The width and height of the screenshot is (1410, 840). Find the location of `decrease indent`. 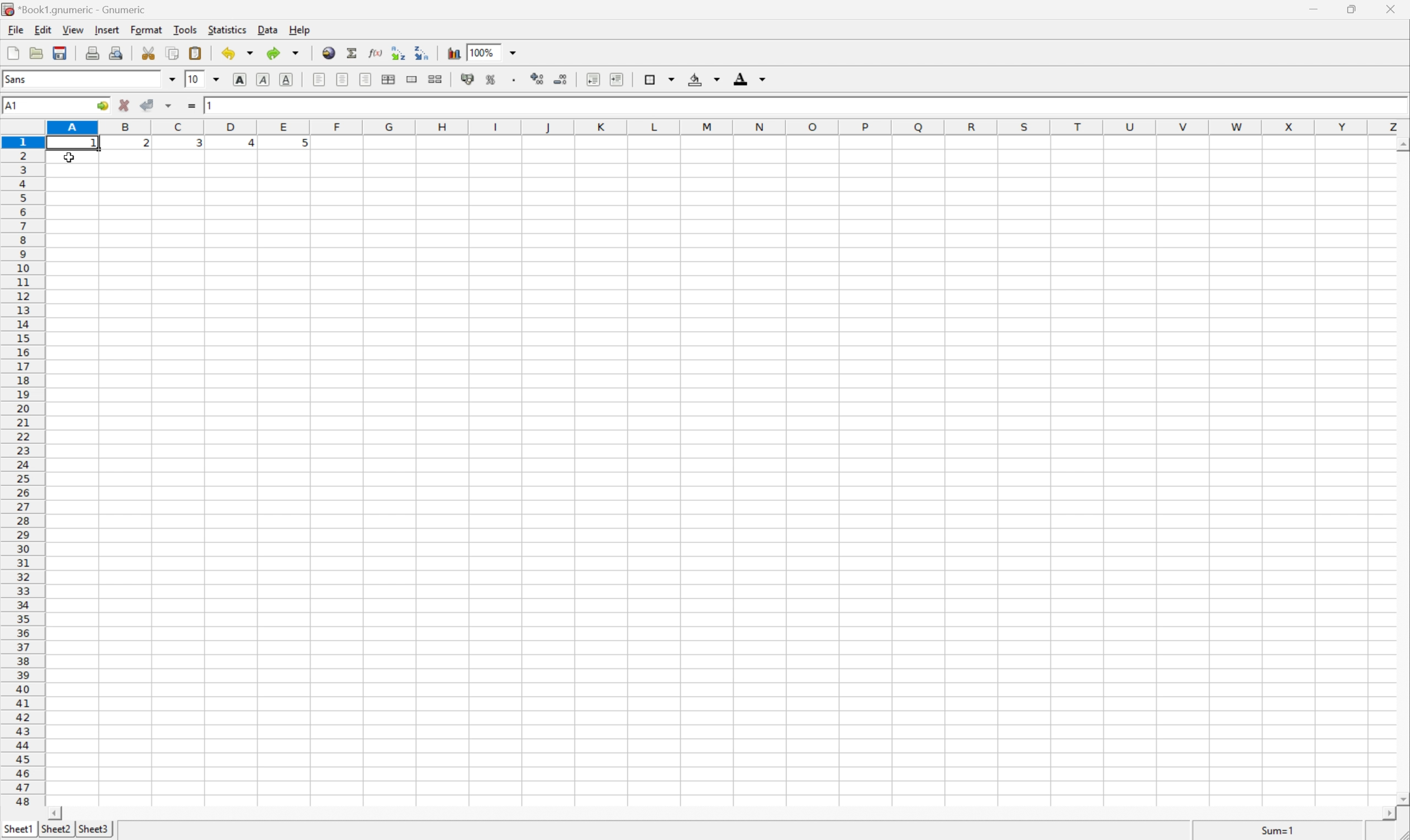

decrease indent is located at coordinates (593, 80).